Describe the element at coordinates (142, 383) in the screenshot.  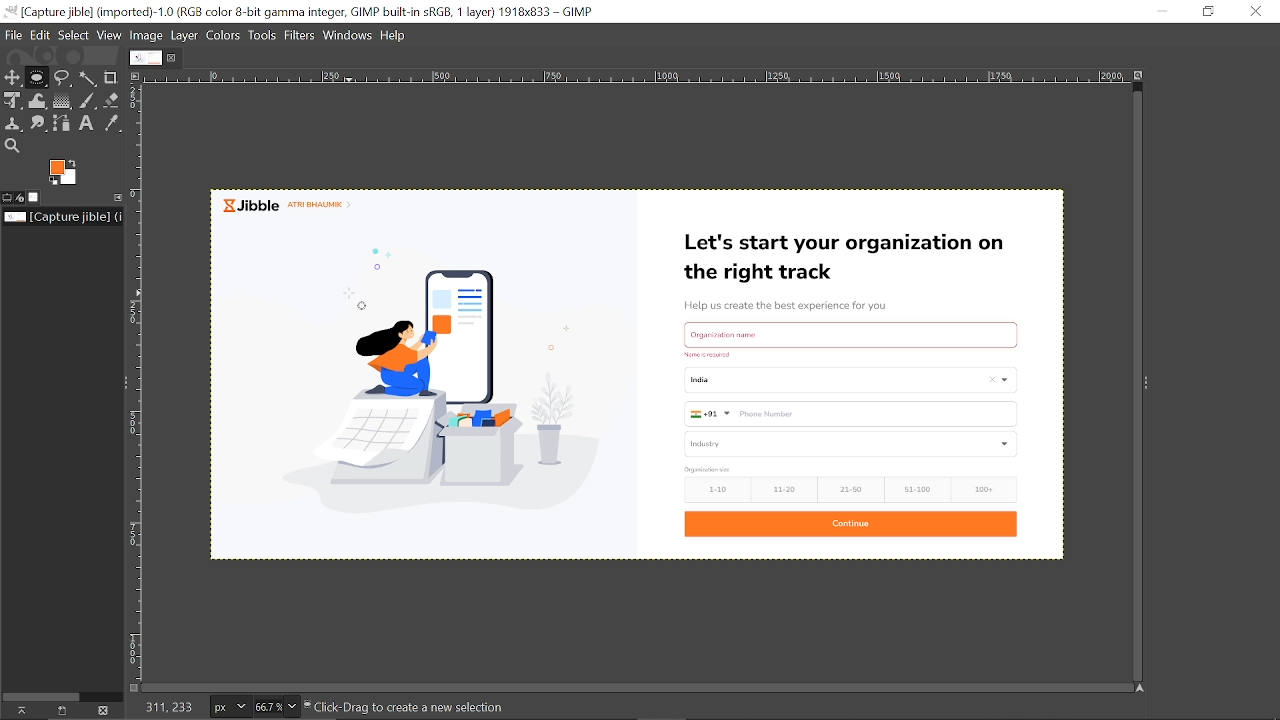
I see `vertical ruler` at that location.